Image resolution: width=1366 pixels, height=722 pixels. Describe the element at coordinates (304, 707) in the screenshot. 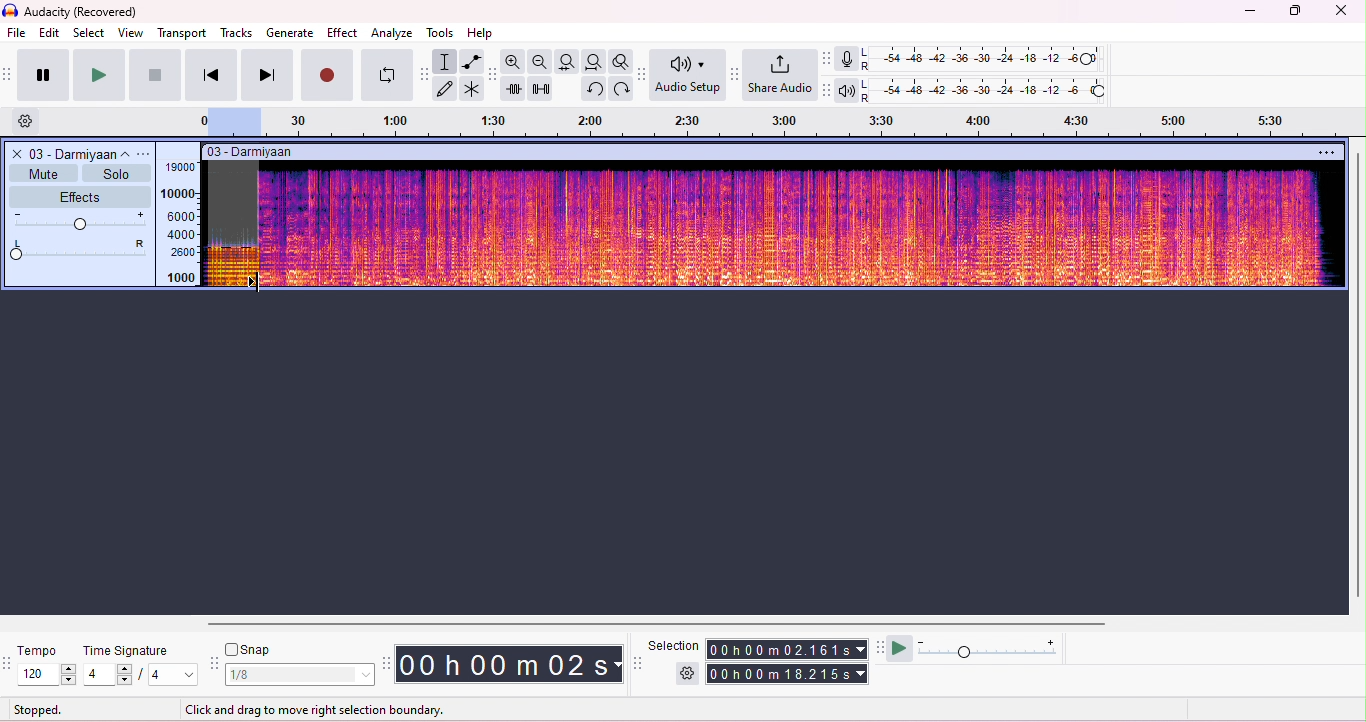

I see `click and drag to select` at that location.